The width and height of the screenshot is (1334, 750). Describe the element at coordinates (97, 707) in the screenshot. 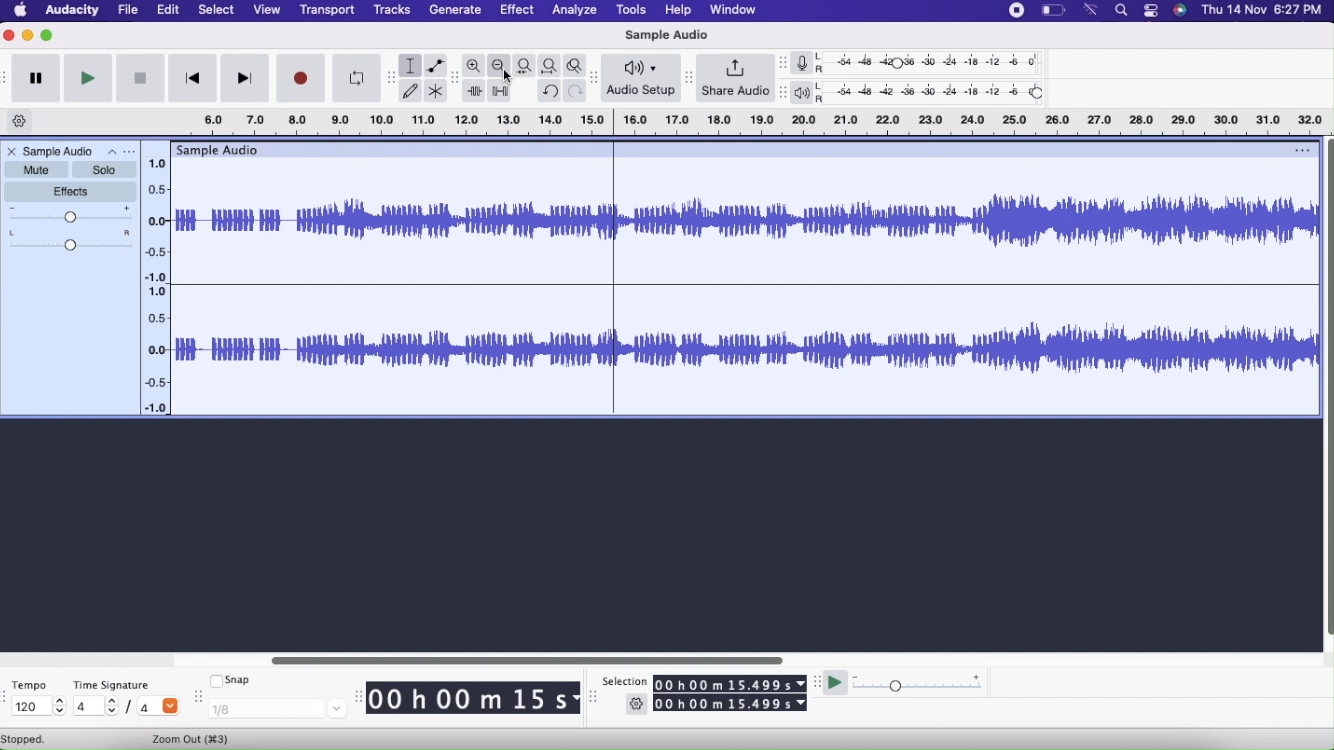

I see `4` at that location.